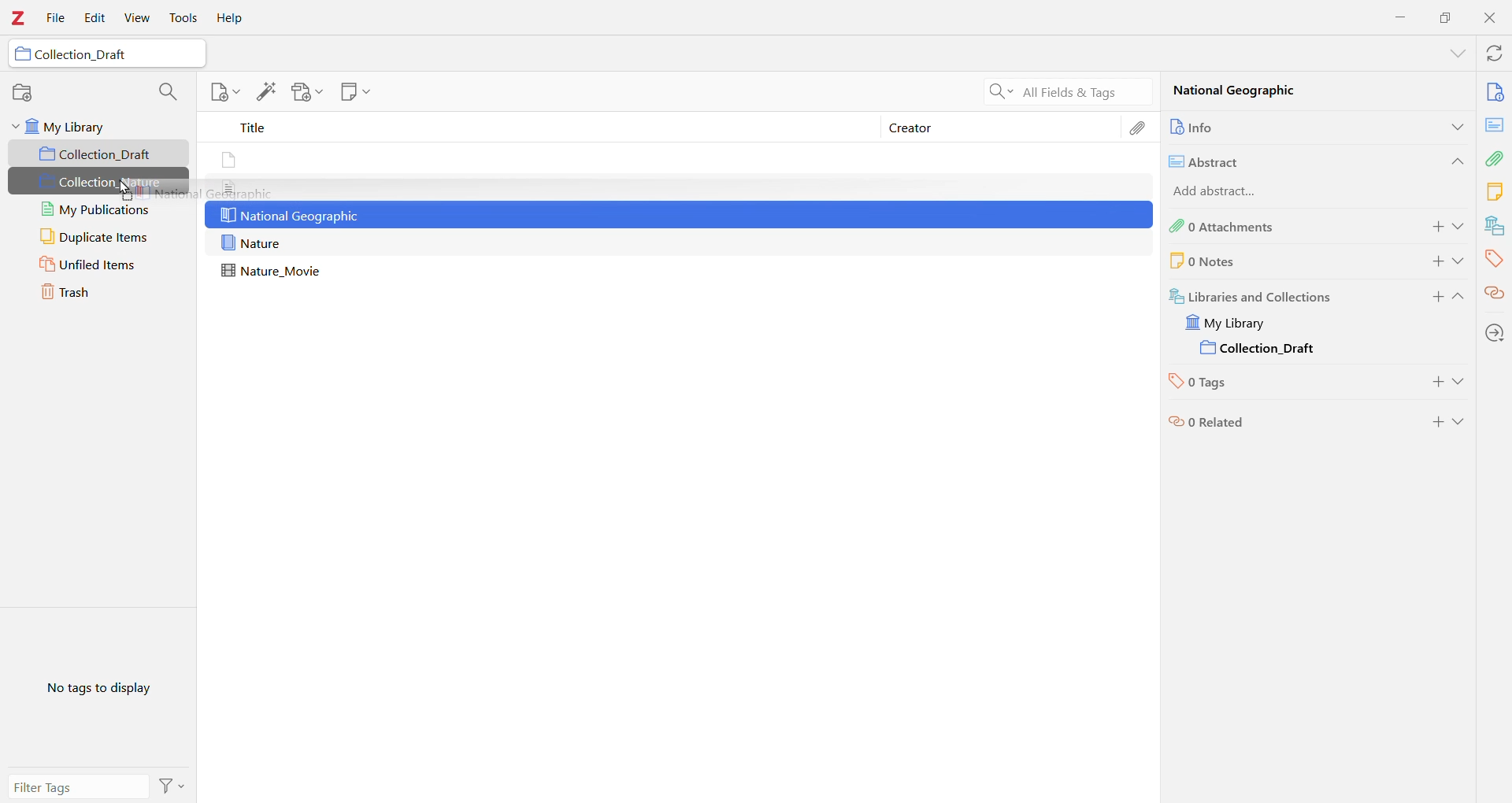 Image resolution: width=1512 pixels, height=803 pixels. Describe the element at coordinates (57, 19) in the screenshot. I see `File` at that location.